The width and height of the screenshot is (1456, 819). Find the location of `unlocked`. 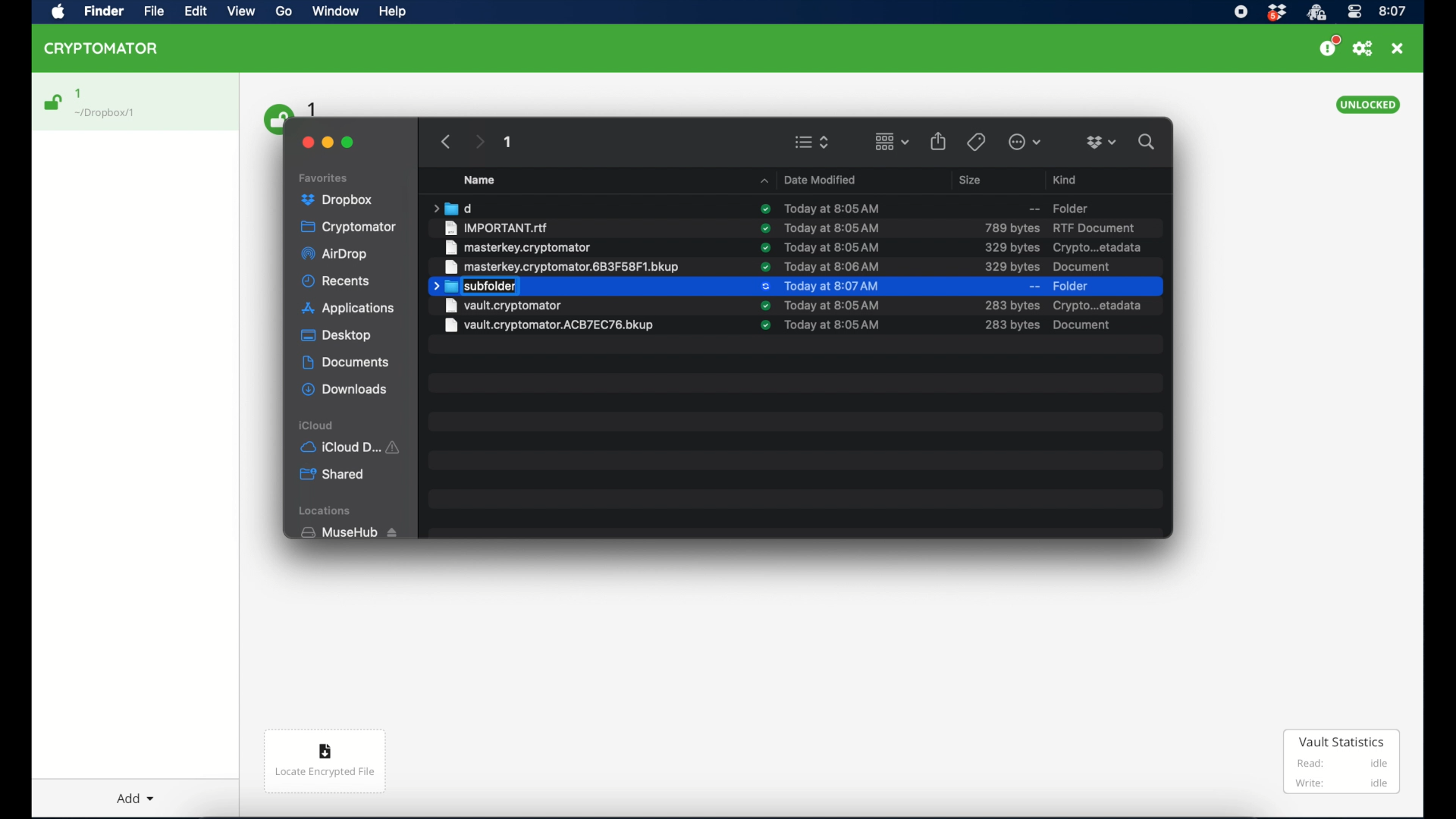

unlocked is located at coordinates (1369, 105).